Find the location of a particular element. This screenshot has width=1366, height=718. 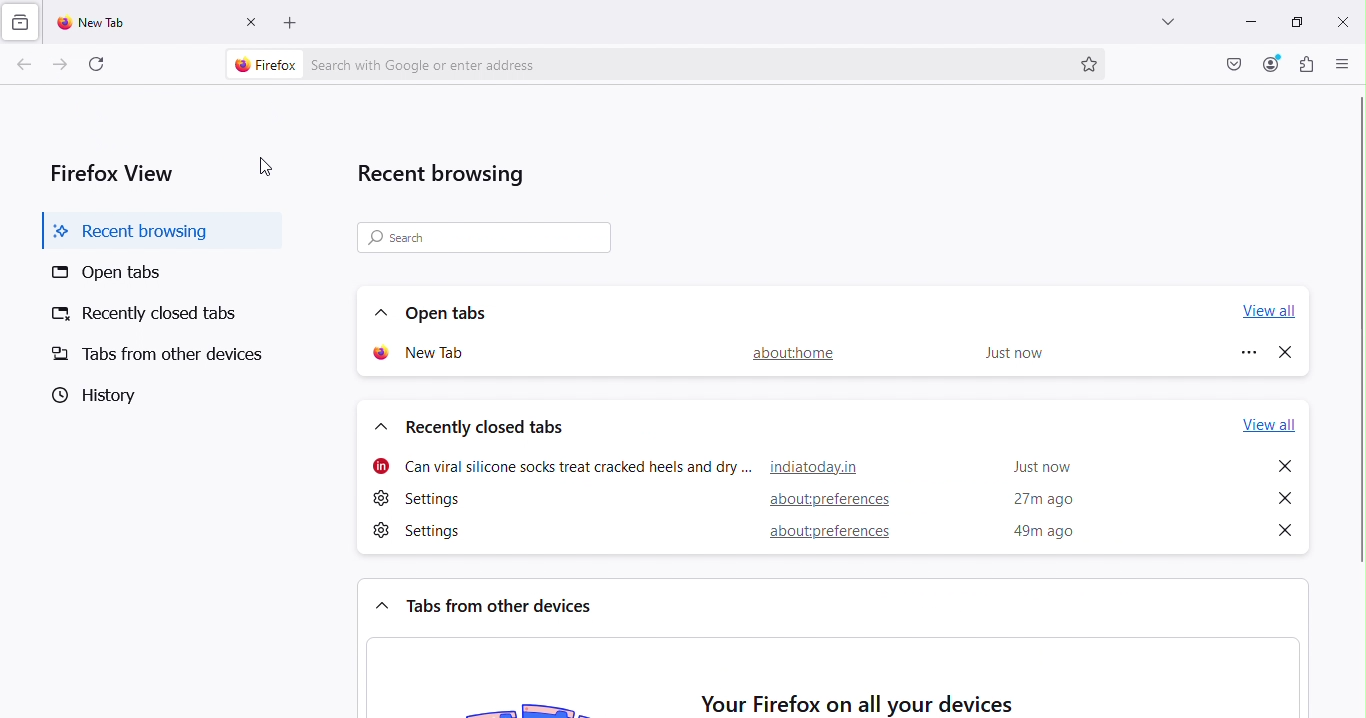

Cursor is located at coordinates (267, 168).